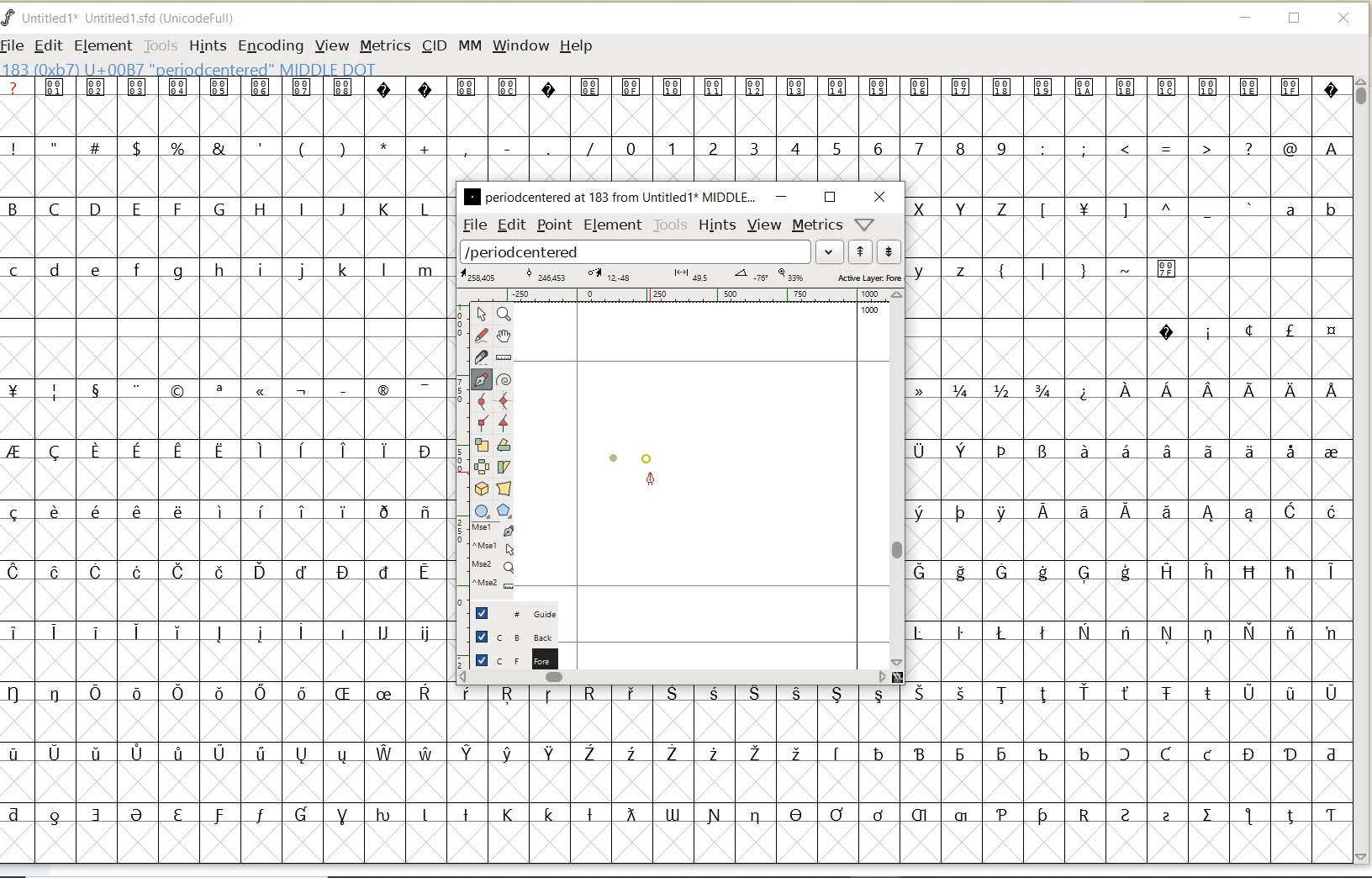 The height and width of the screenshot is (878, 1372). Describe the element at coordinates (191, 68) in the screenshot. I see `glyph info` at that location.